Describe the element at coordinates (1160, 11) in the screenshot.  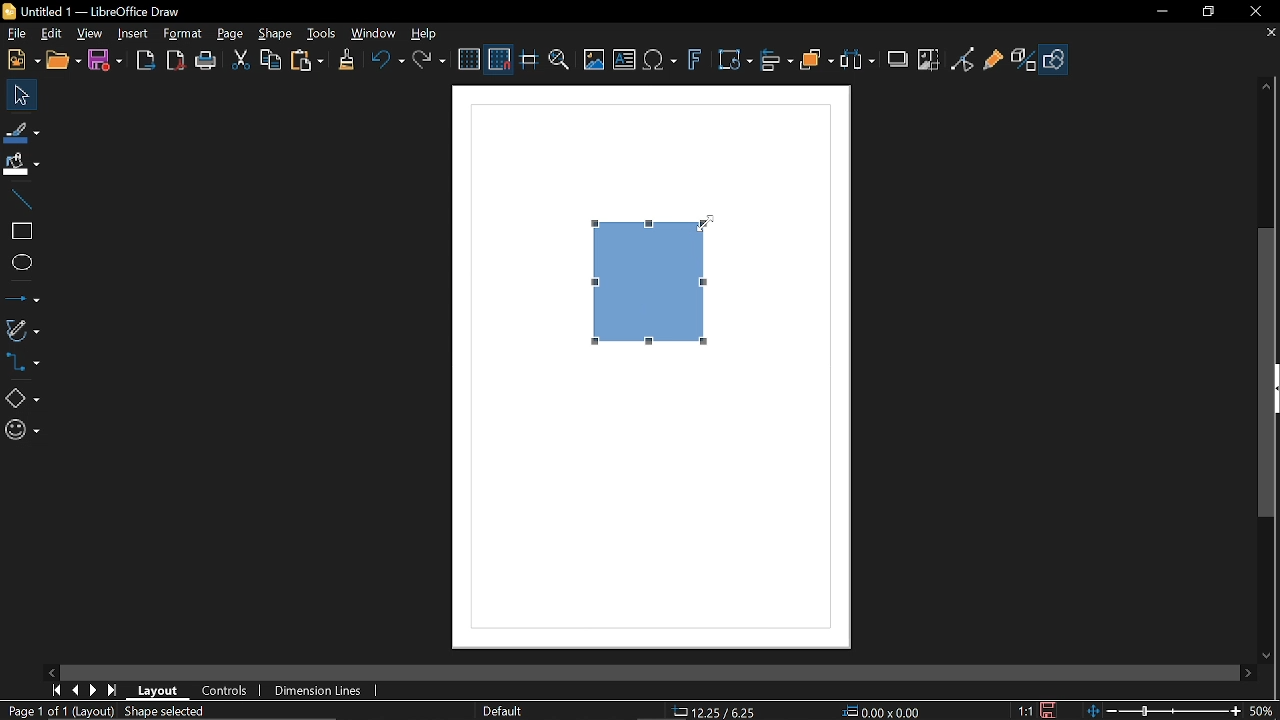
I see `Minimize` at that location.